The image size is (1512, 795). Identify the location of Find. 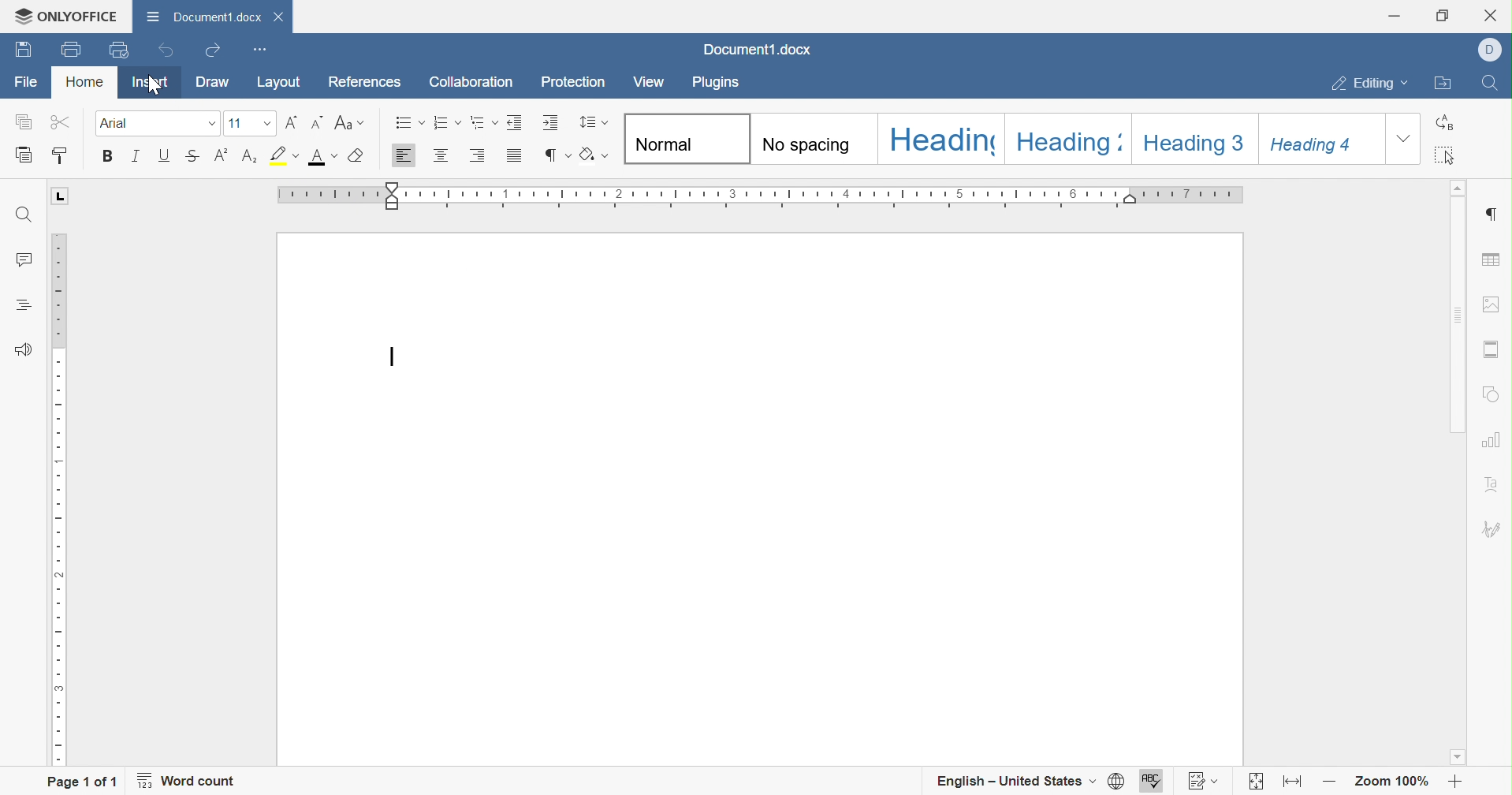
(1490, 84).